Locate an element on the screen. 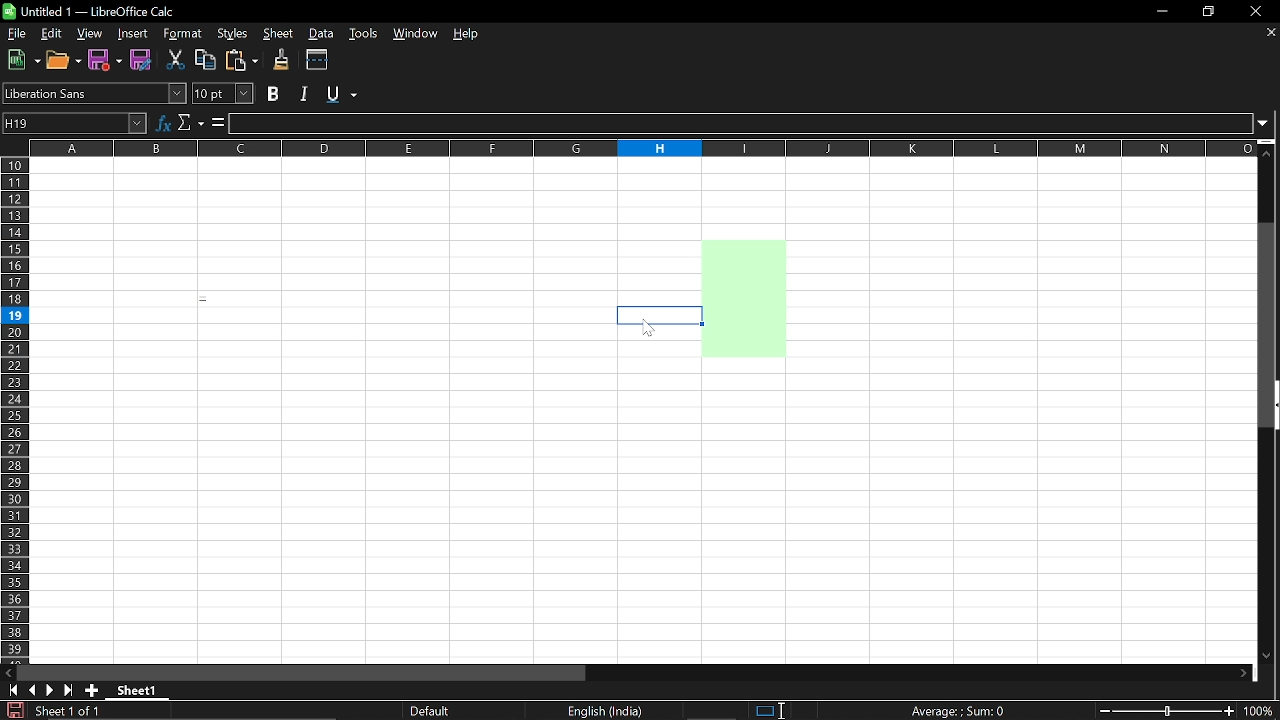  Font name is located at coordinates (94, 92).